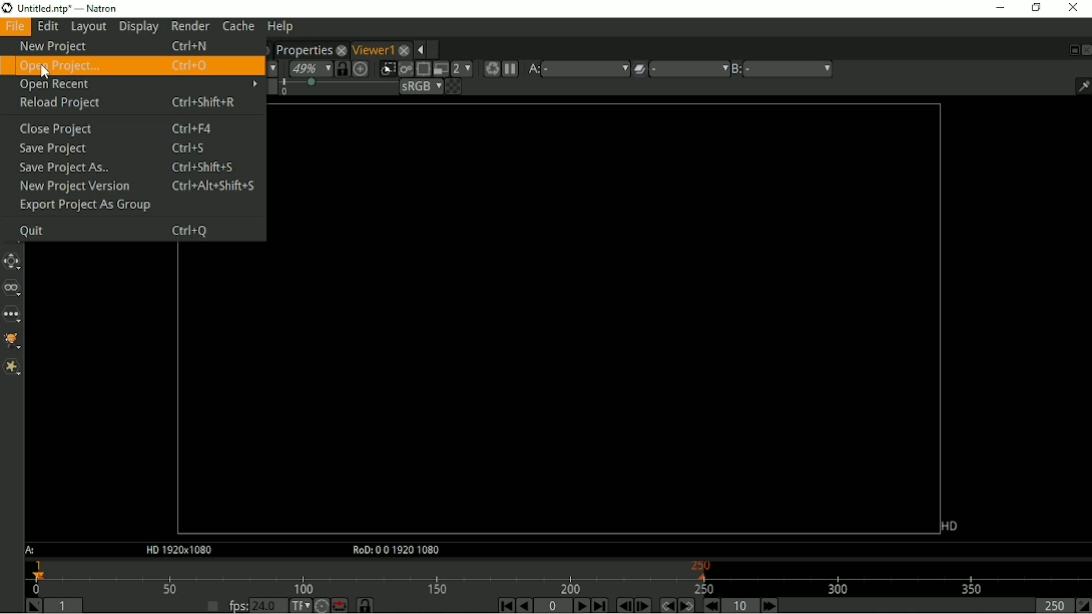  What do you see at coordinates (949, 526) in the screenshot?
I see `HD` at bounding box center [949, 526].